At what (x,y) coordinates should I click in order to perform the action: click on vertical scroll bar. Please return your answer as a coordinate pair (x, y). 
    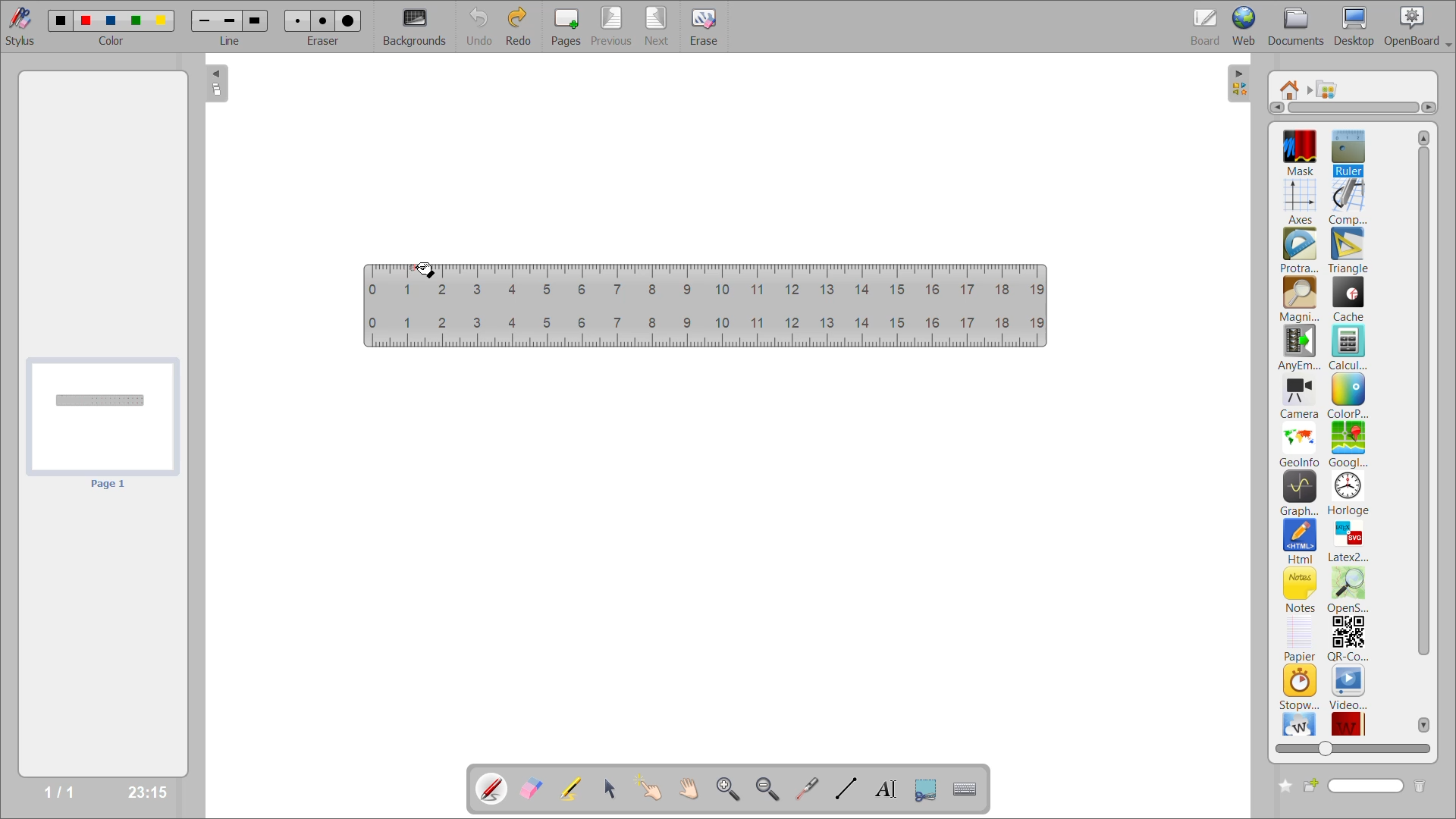
    Looking at the image, I should click on (1425, 431).